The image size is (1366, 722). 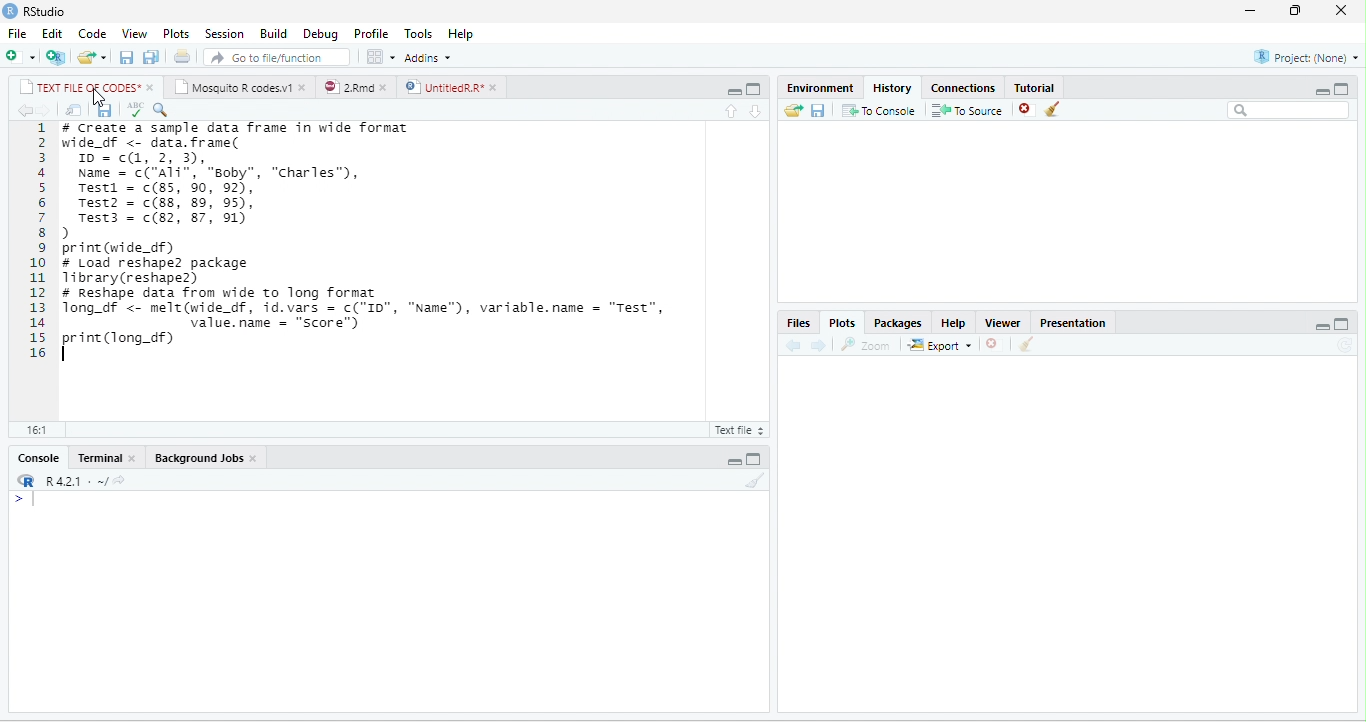 What do you see at coordinates (20, 58) in the screenshot?
I see `new file` at bounding box center [20, 58].